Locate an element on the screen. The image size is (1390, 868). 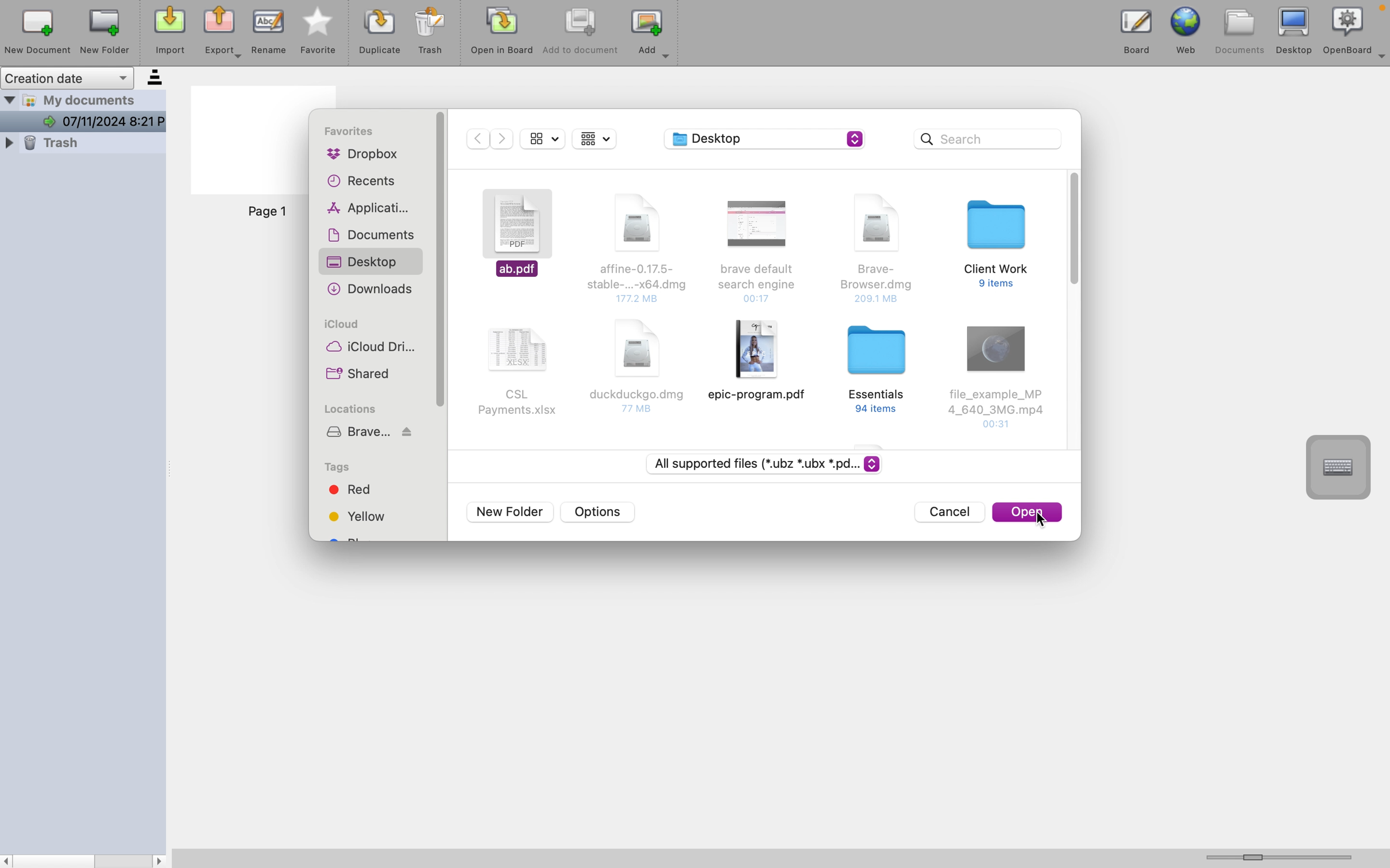
downloads is located at coordinates (369, 290).